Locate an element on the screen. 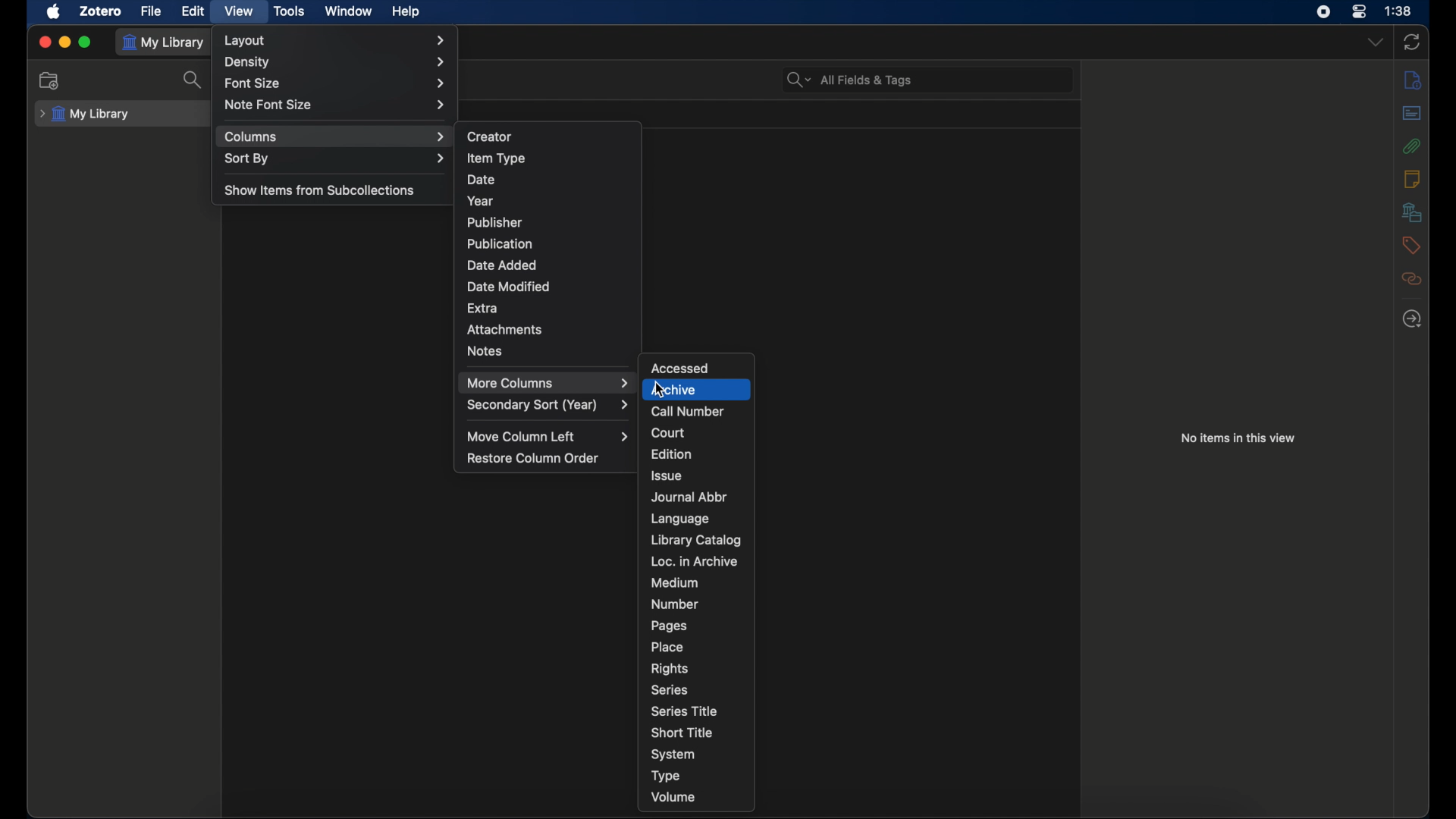  my library is located at coordinates (167, 42).